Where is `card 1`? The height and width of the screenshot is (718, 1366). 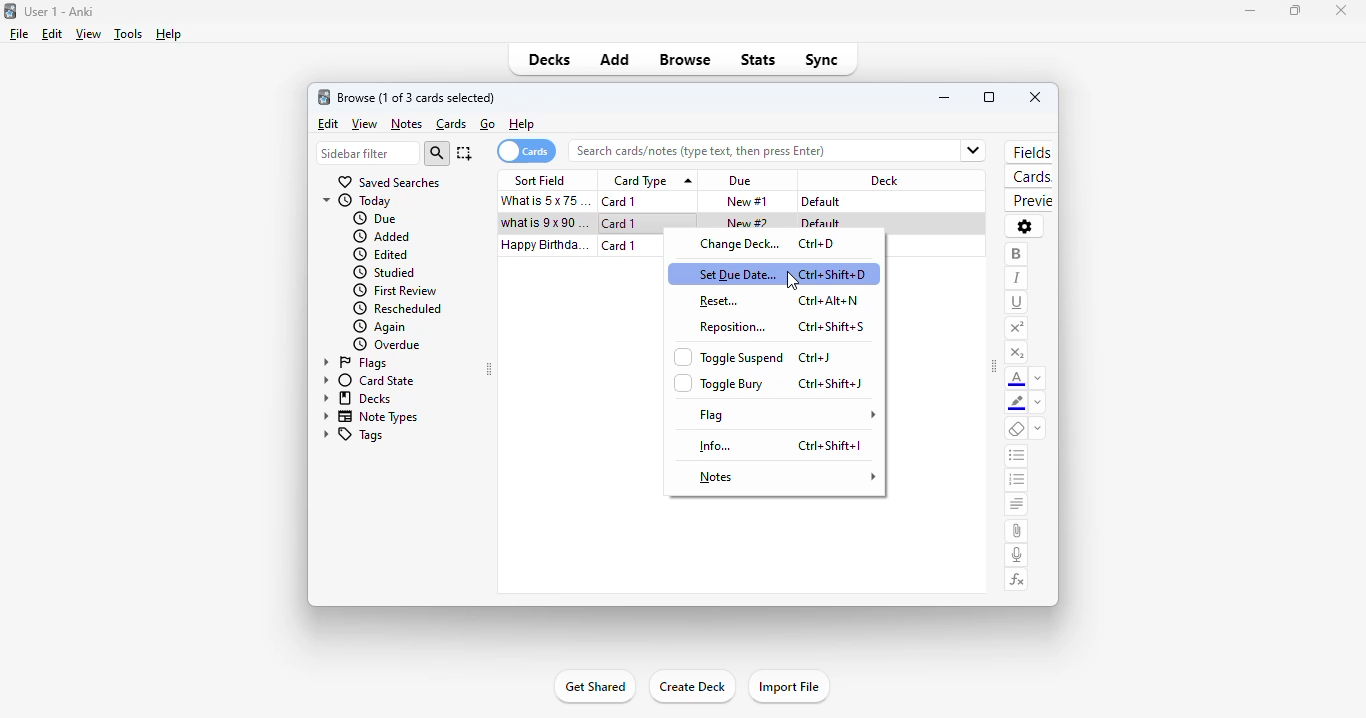
card 1 is located at coordinates (621, 202).